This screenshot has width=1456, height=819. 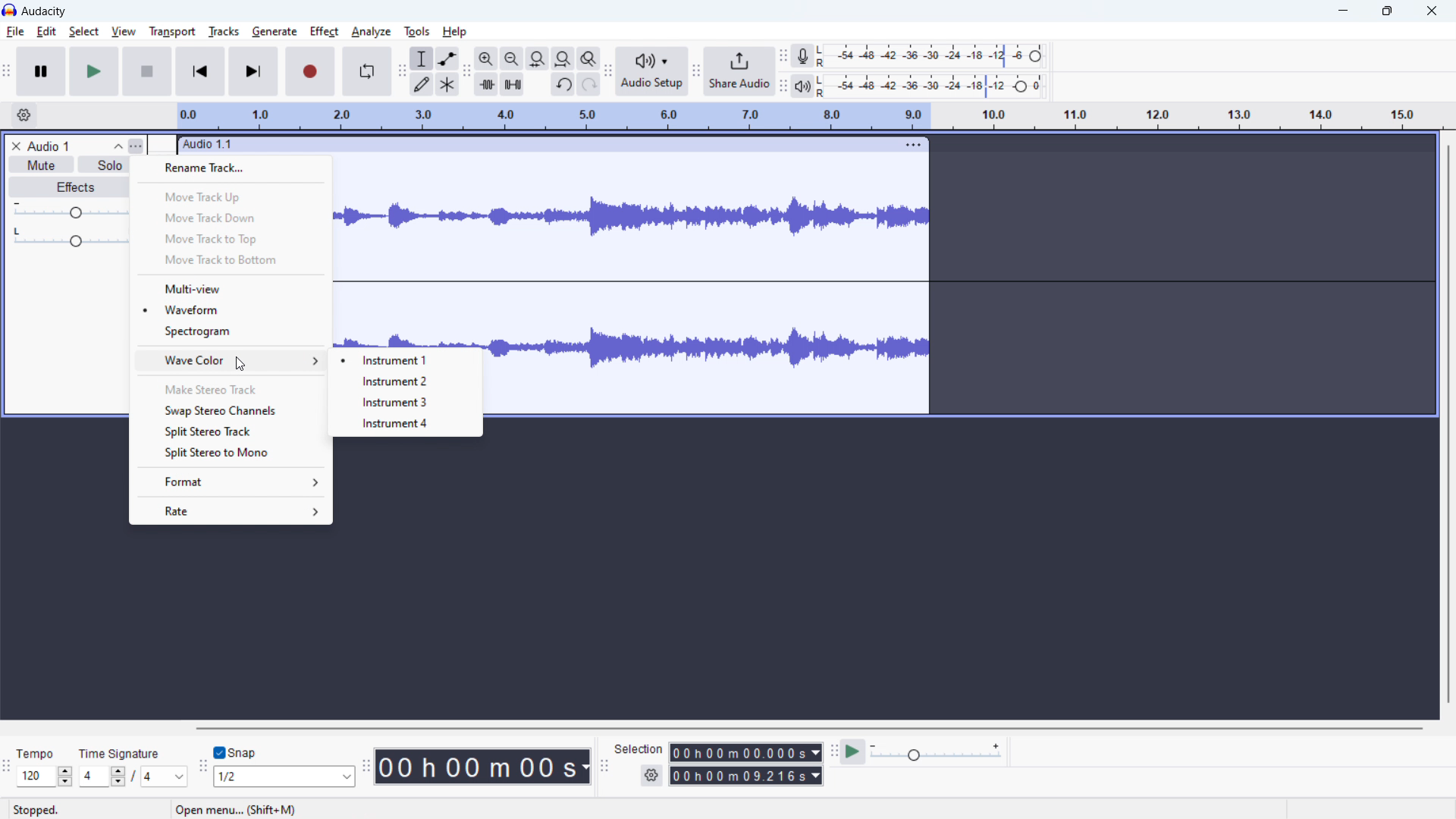 What do you see at coordinates (808, 116) in the screenshot?
I see `timeline` at bounding box center [808, 116].